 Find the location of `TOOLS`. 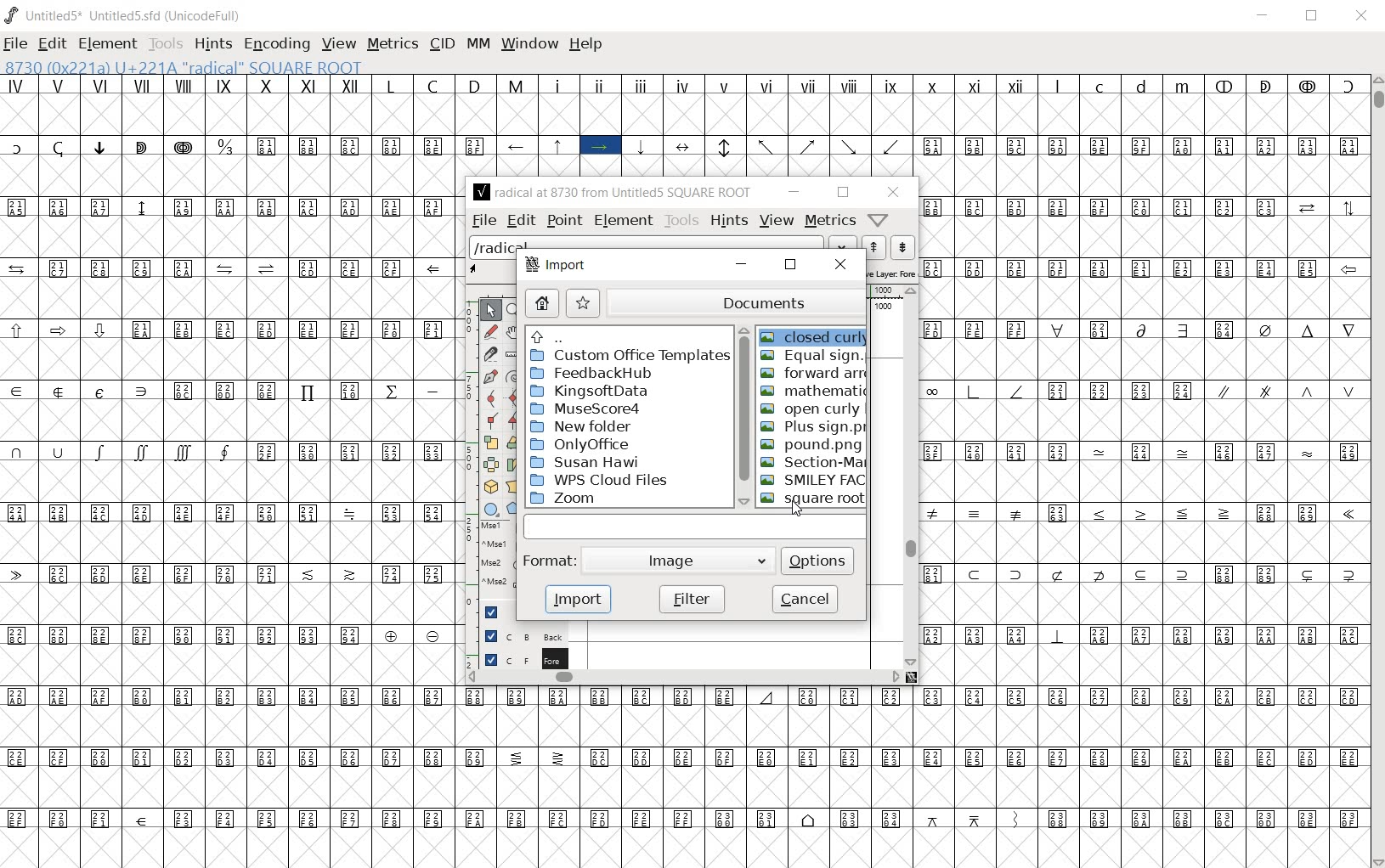

TOOLS is located at coordinates (166, 44).